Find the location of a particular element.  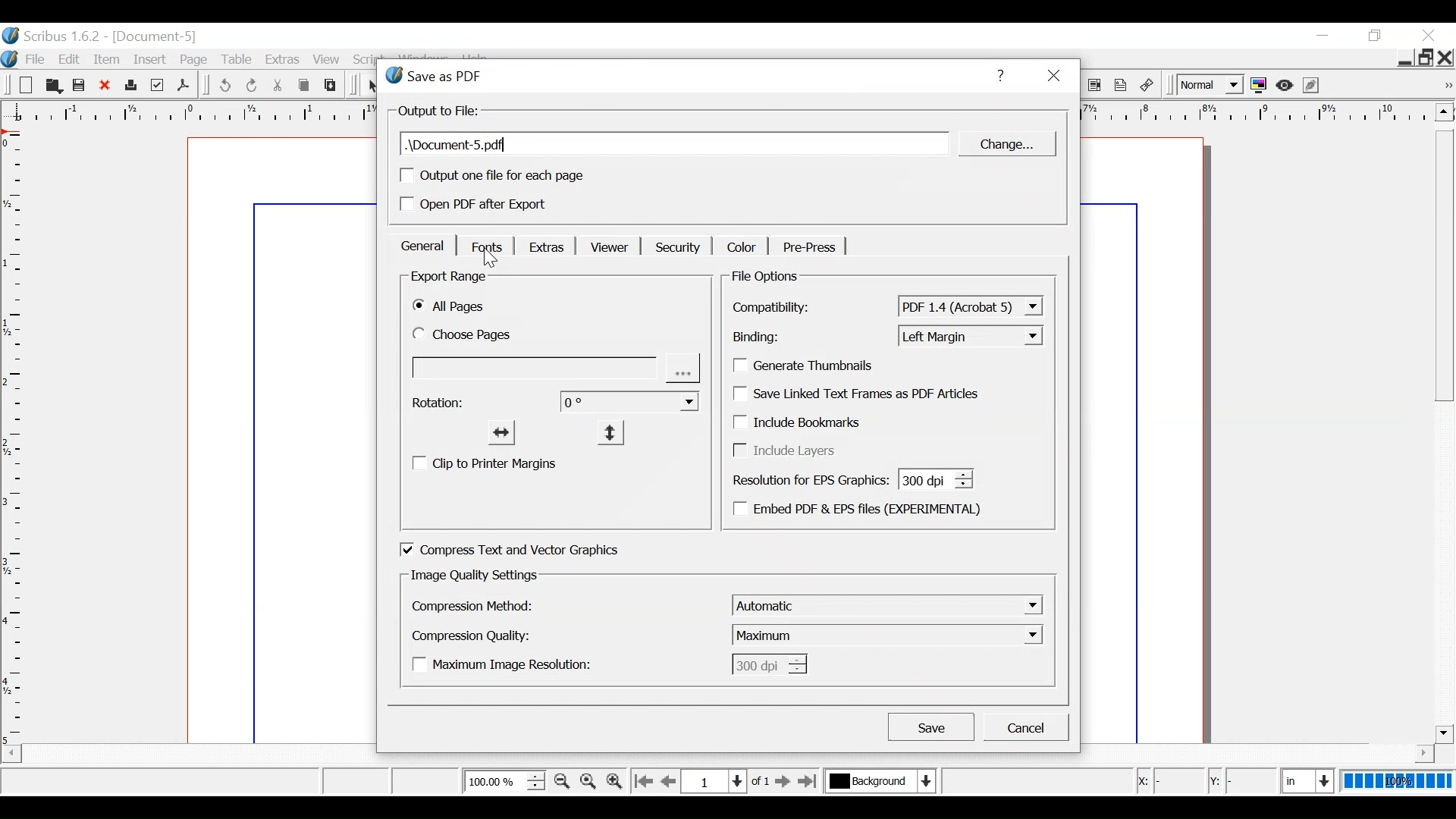

Help is located at coordinates (999, 75).